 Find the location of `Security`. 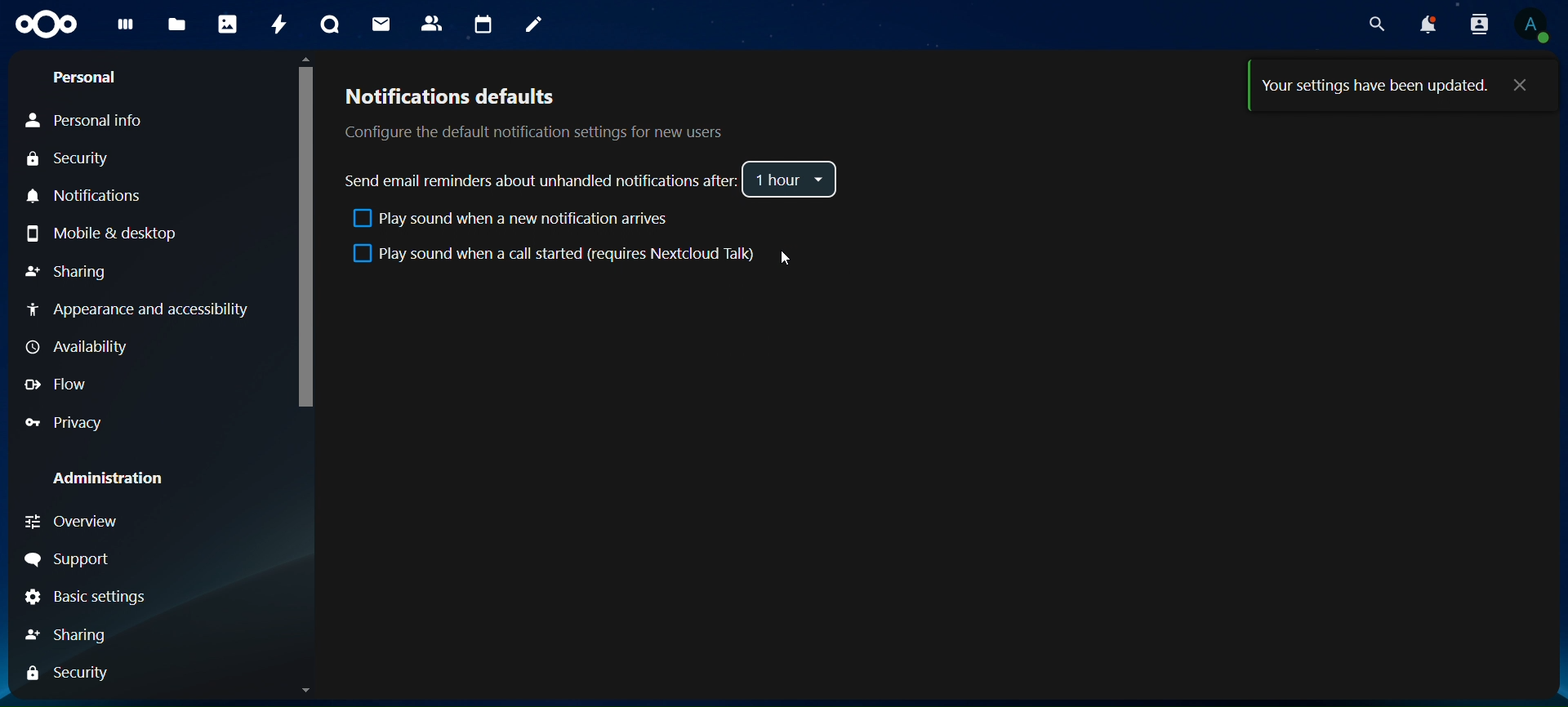

Security is located at coordinates (67, 159).